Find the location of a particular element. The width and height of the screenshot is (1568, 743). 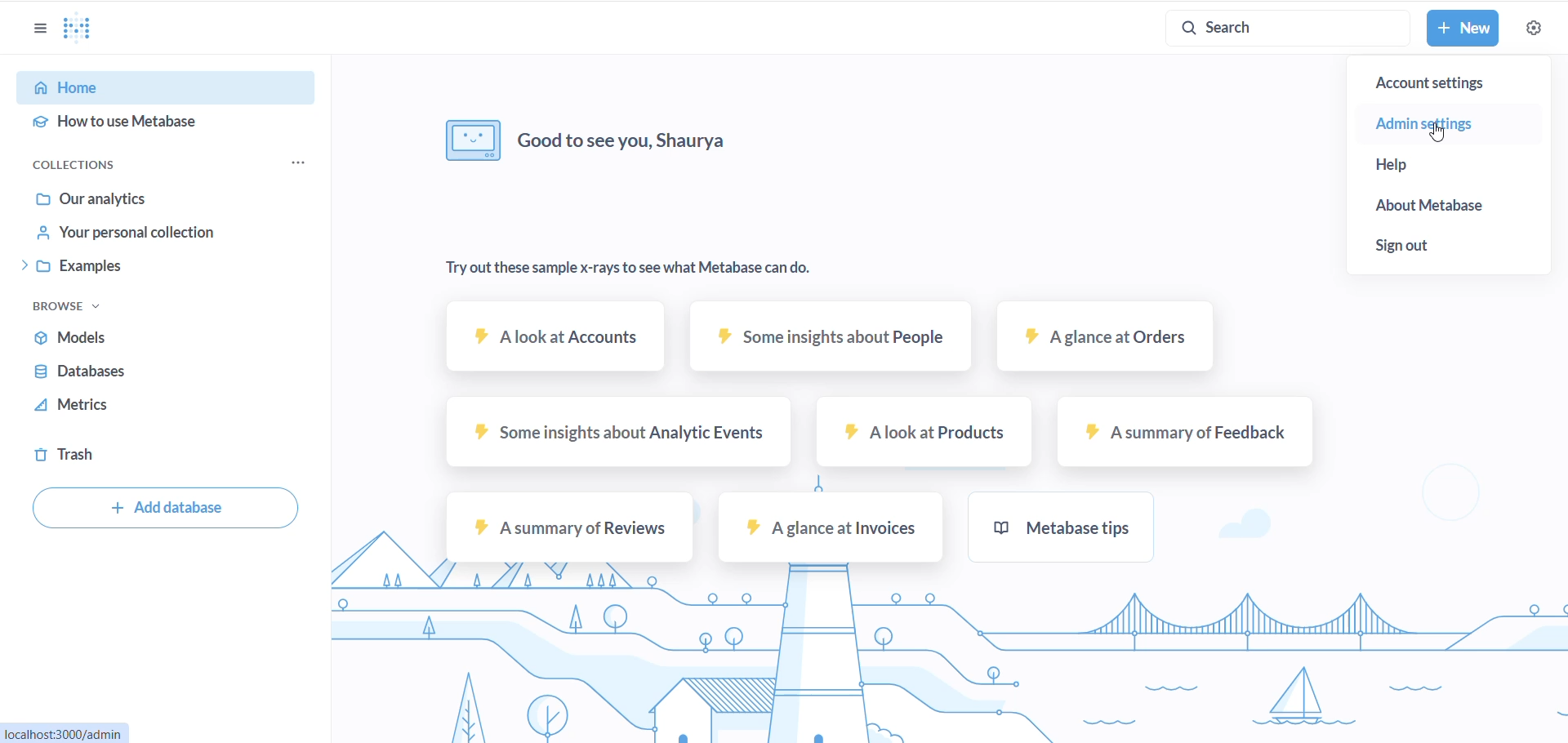

OUR ANALYTICS is located at coordinates (141, 198).